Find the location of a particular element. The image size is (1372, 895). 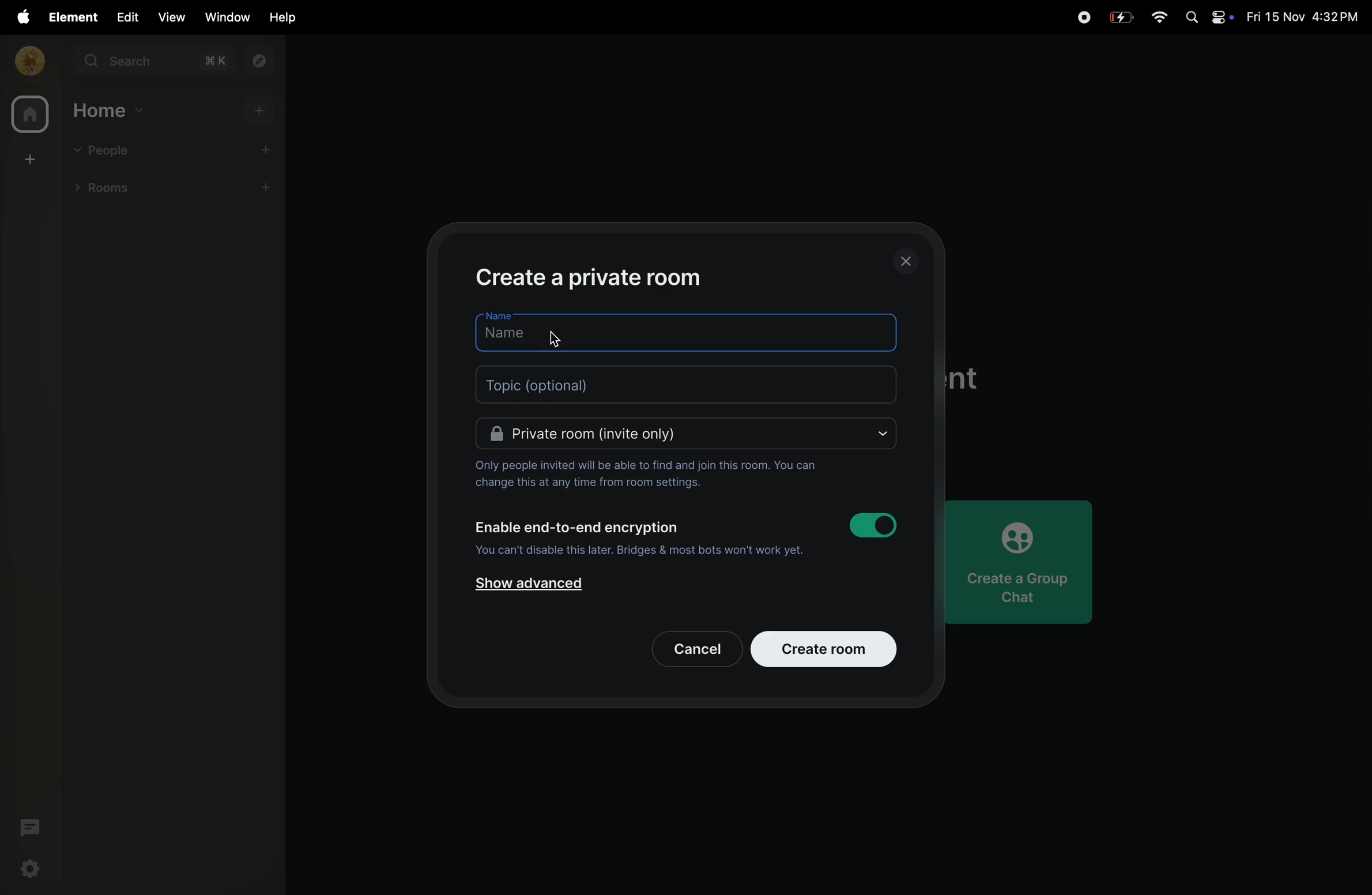

date and time is located at coordinates (1302, 17).